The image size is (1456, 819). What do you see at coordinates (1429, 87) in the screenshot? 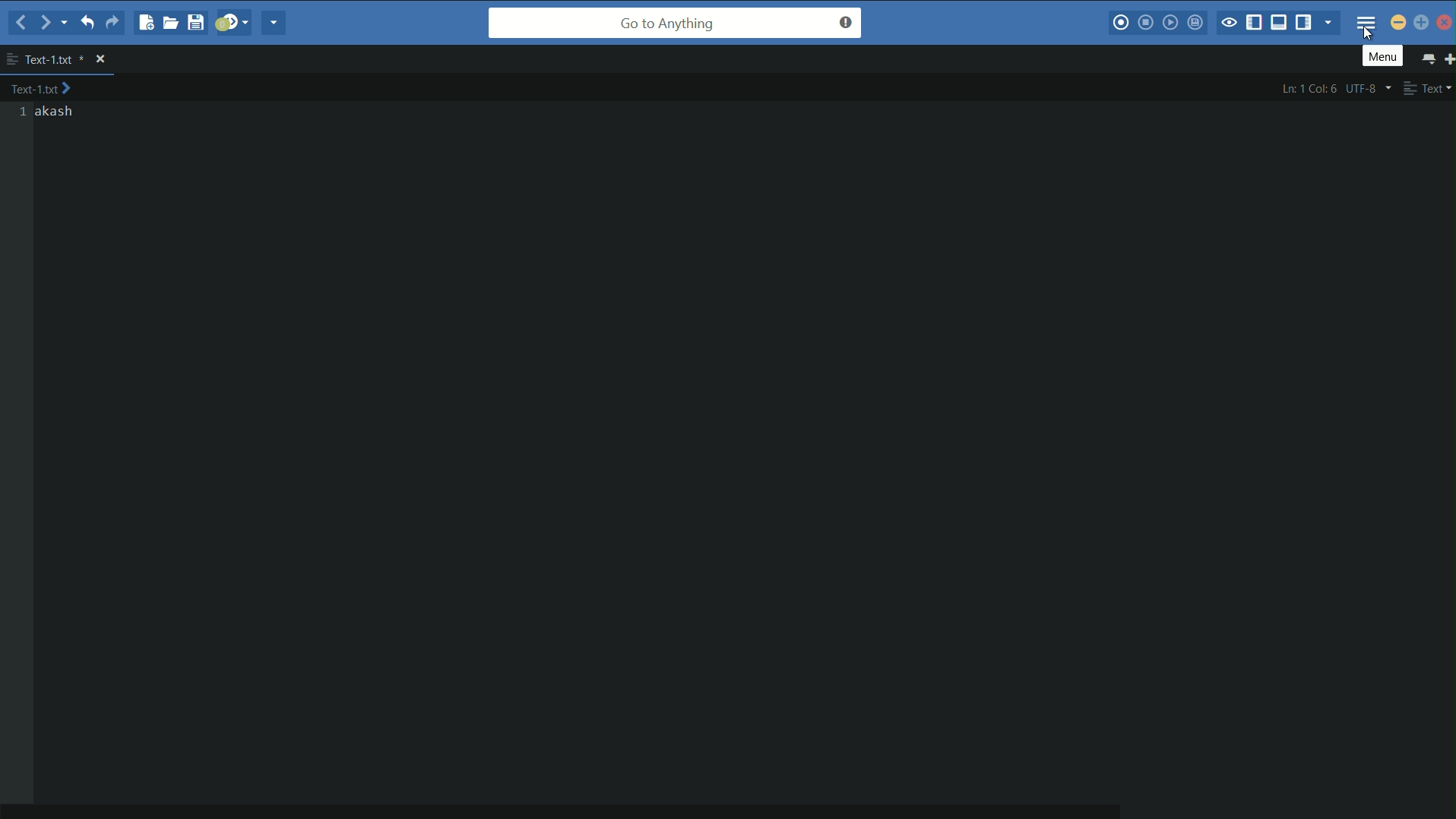
I see `file type` at bounding box center [1429, 87].